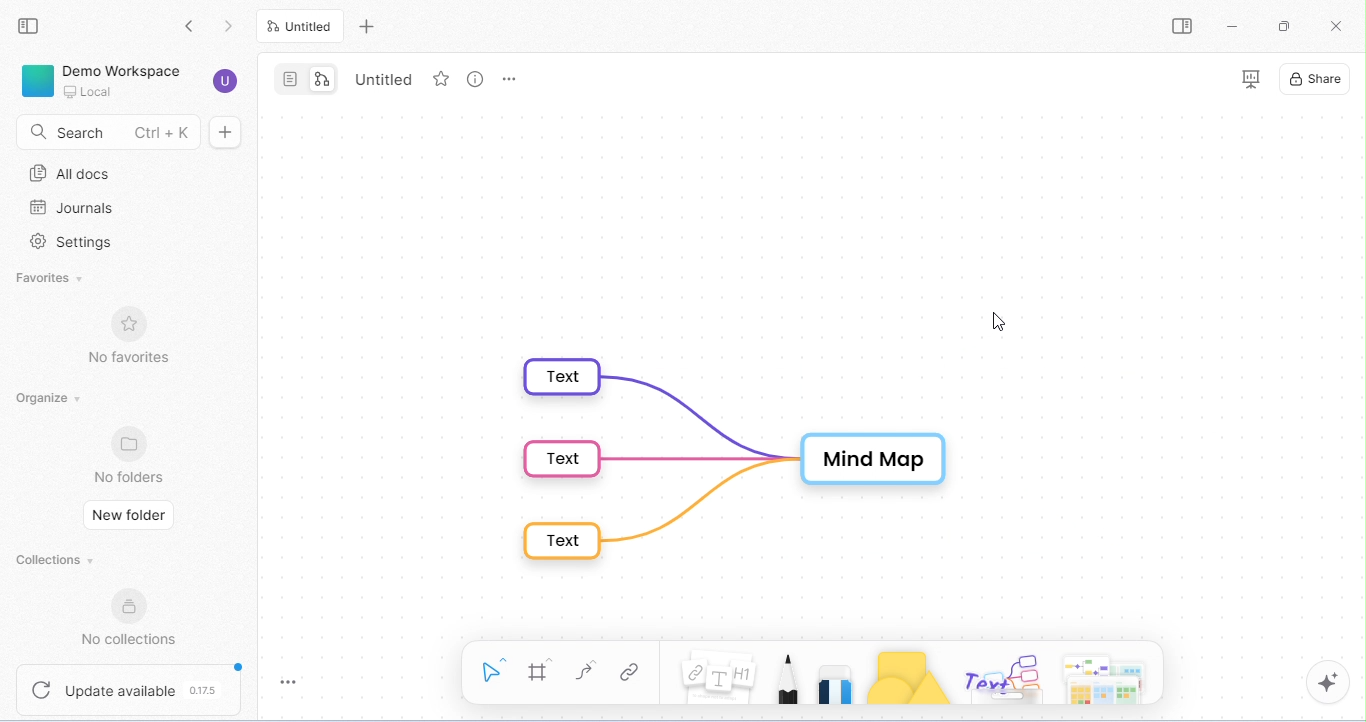 The image size is (1366, 722). What do you see at coordinates (1000, 676) in the screenshot?
I see `others` at bounding box center [1000, 676].